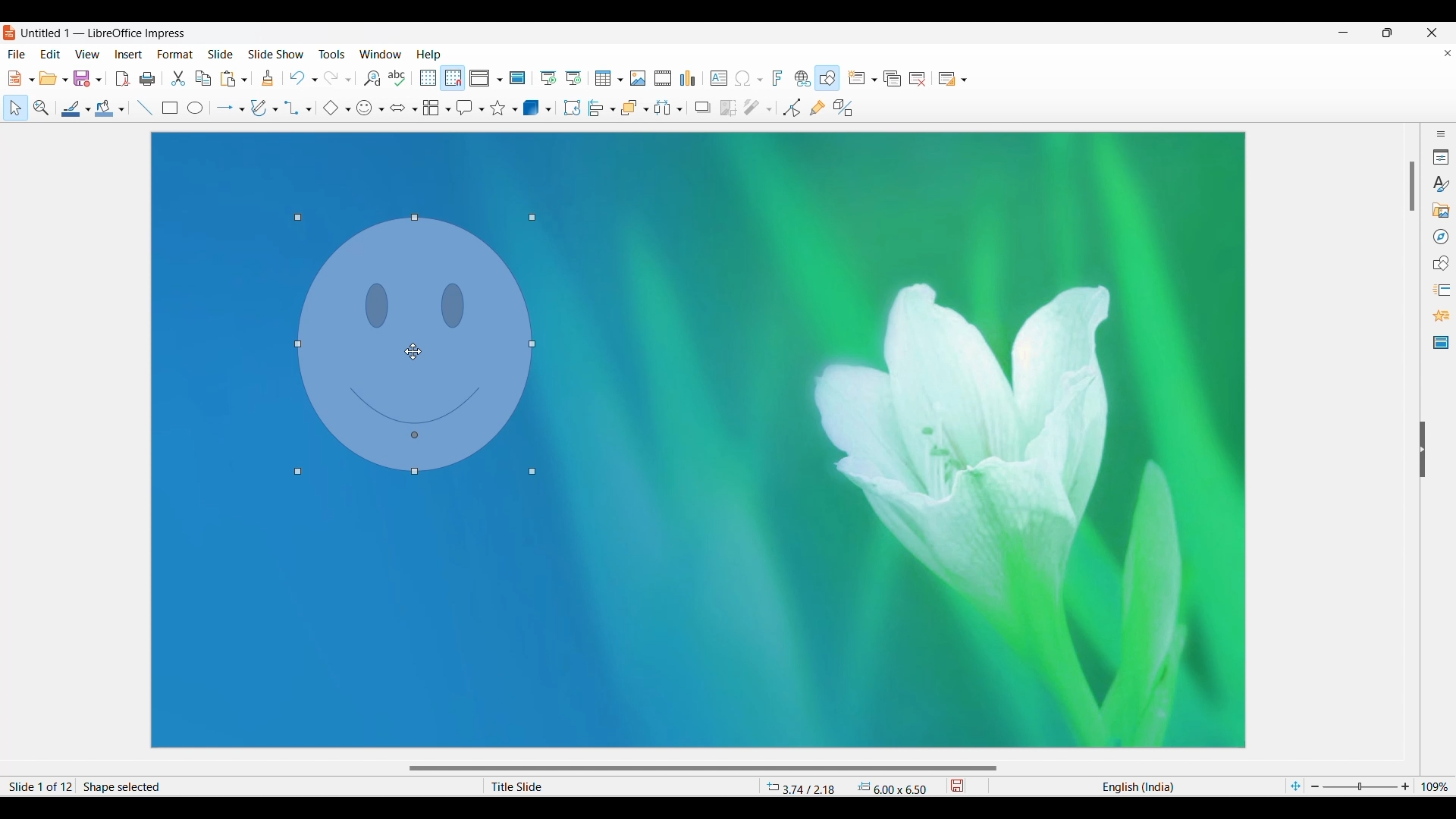 This screenshot has height=819, width=1456. What do you see at coordinates (453, 79) in the screenshot?
I see `Snap to grid` at bounding box center [453, 79].